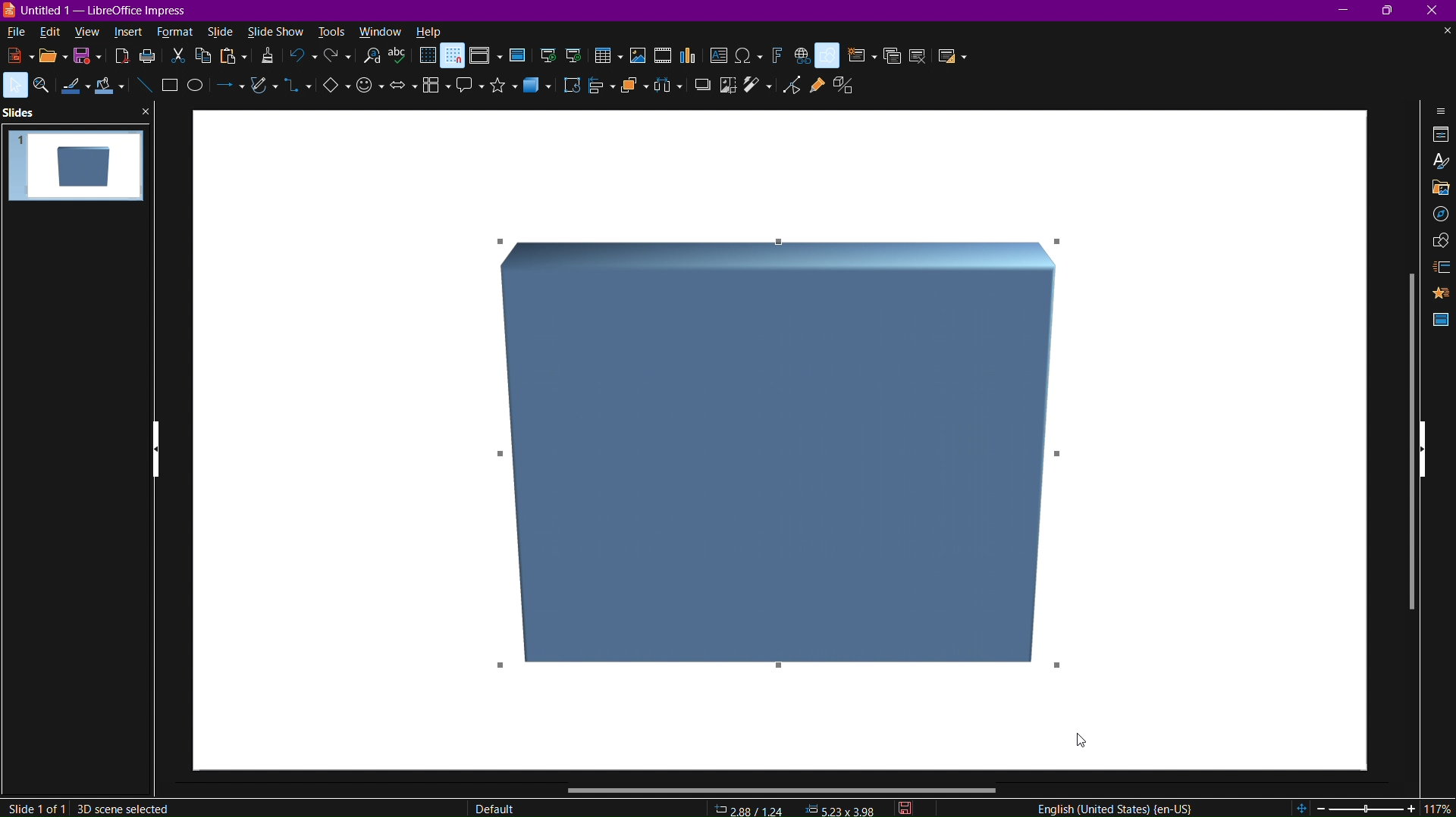 The image size is (1456, 817). Describe the element at coordinates (1439, 136) in the screenshot. I see `Properties` at that location.